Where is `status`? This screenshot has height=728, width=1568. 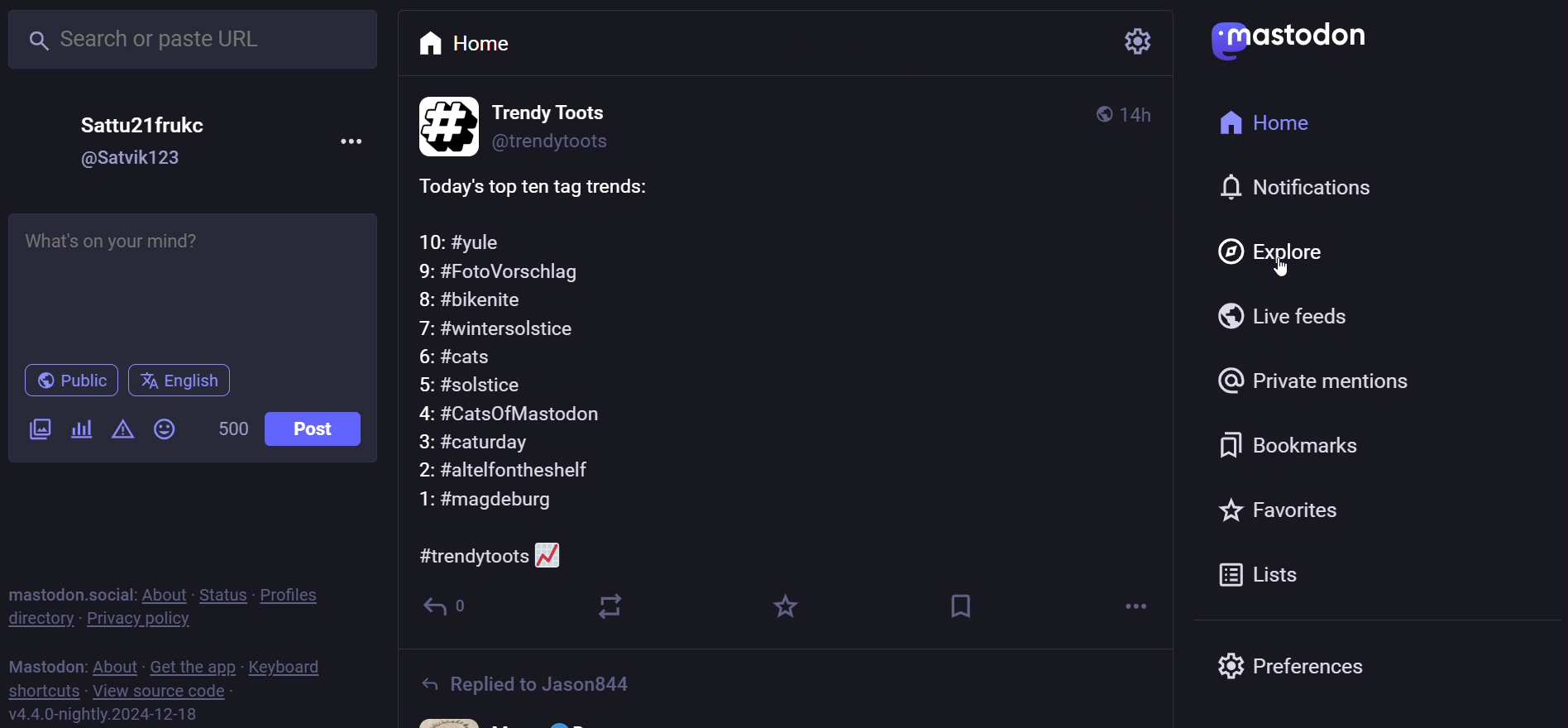 status is located at coordinates (221, 595).